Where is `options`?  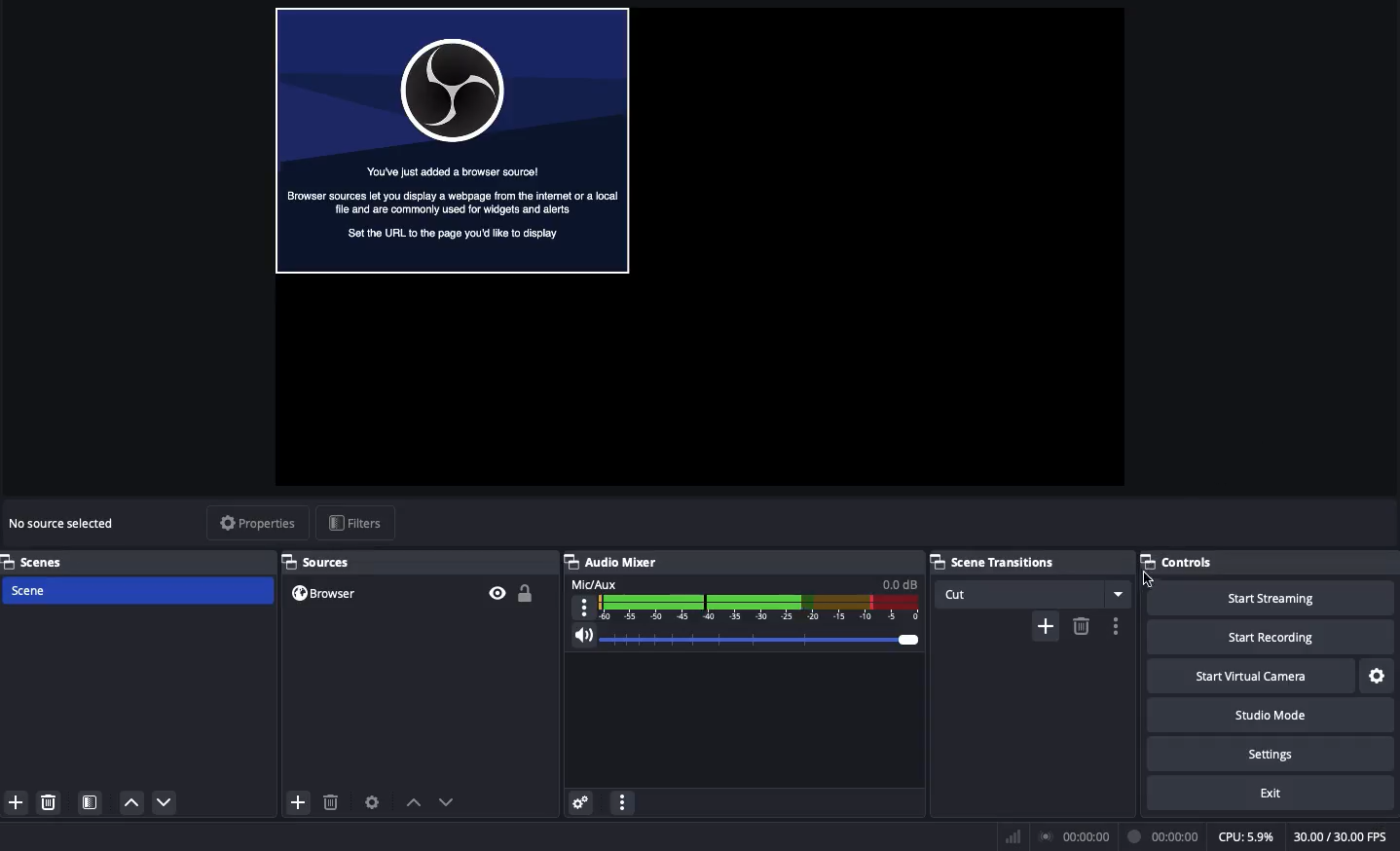 options is located at coordinates (1120, 625).